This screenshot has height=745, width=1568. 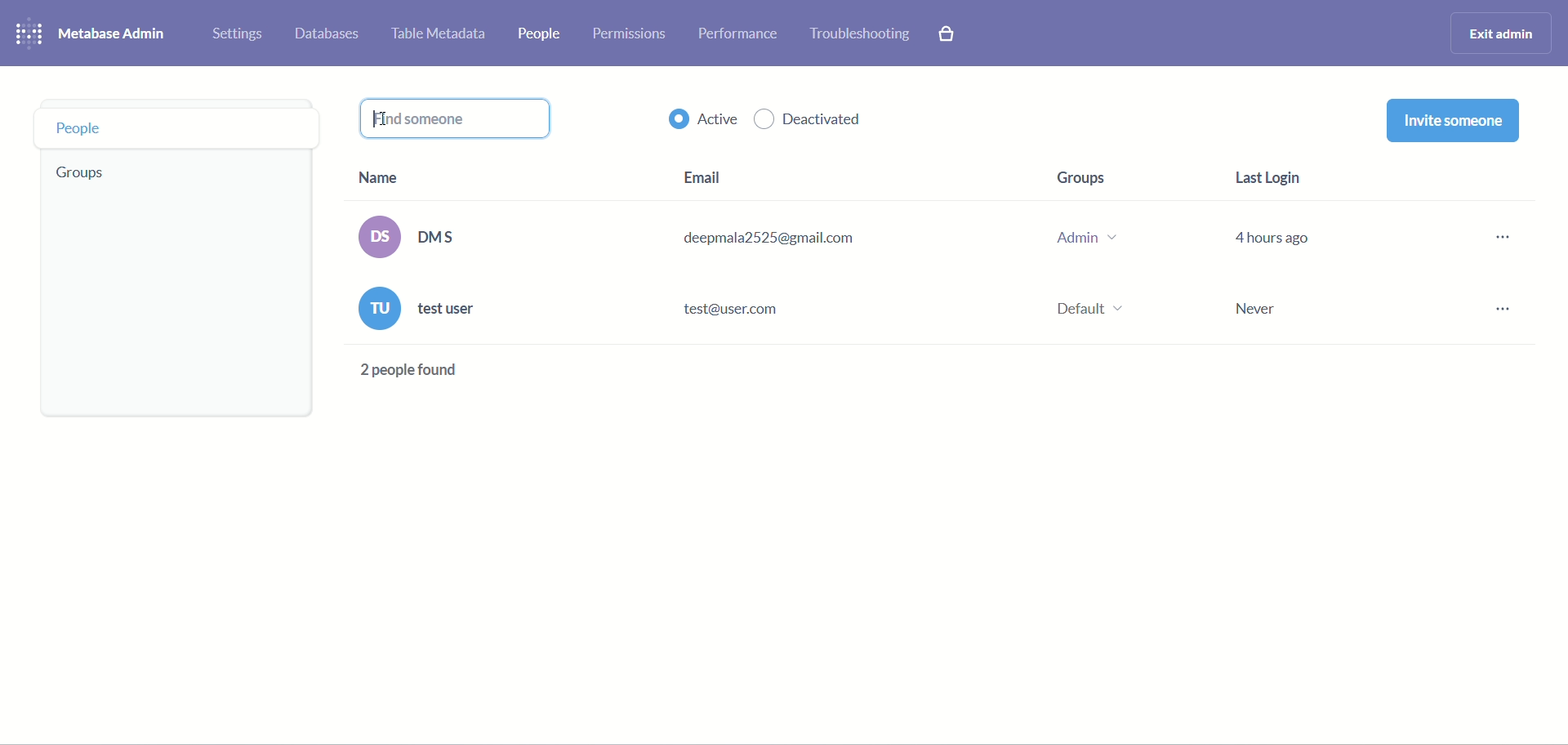 I want to click on people, so click(x=176, y=127).